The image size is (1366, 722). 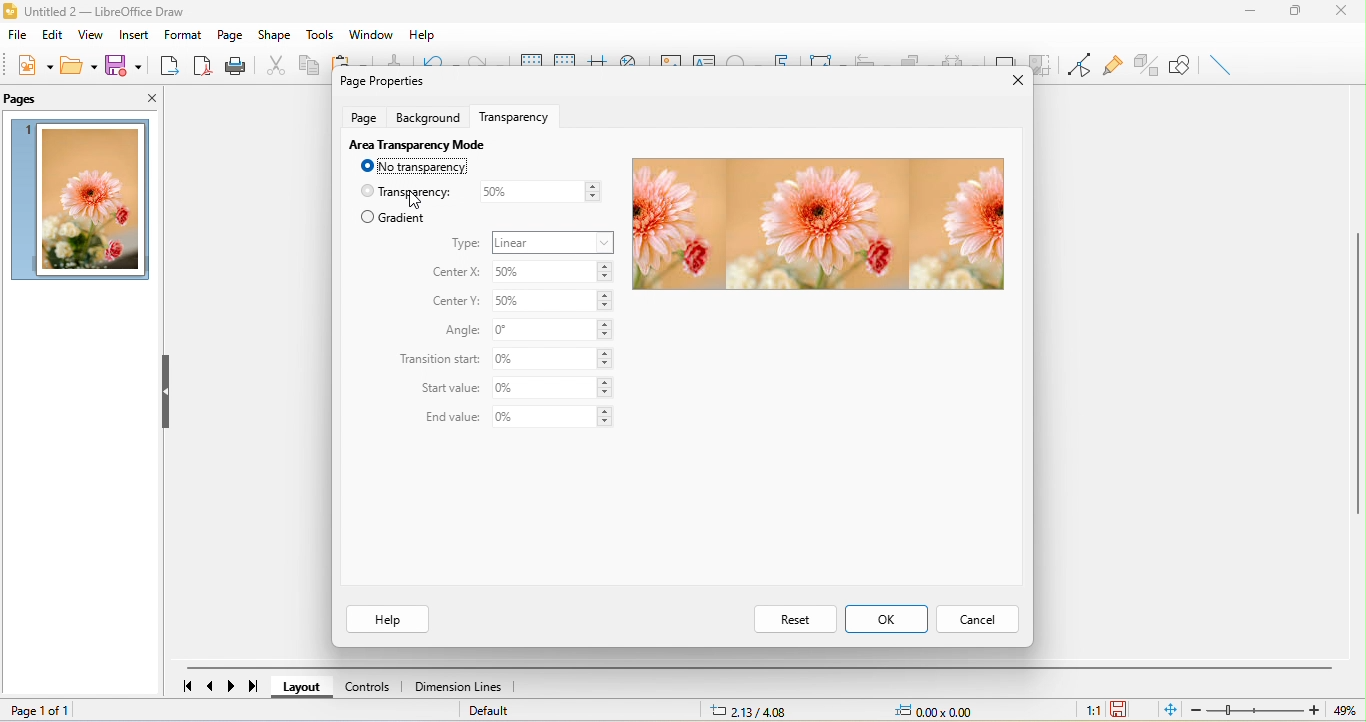 What do you see at coordinates (79, 712) in the screenshot?
I see `page 1 of 1` at bounding box center [79, 712].